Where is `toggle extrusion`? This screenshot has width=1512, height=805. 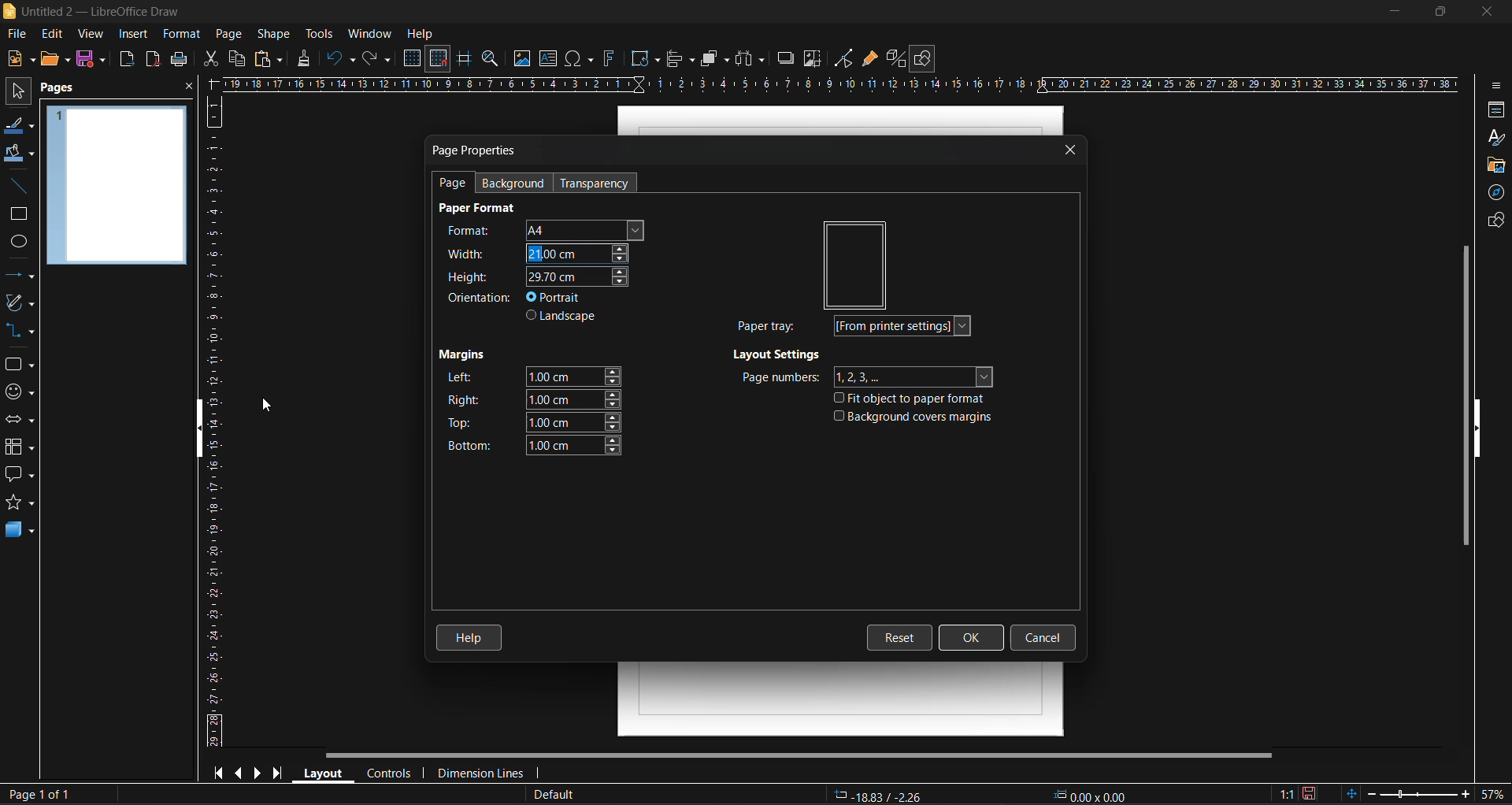 toggle extrusion is located at coordinates (898, 58).